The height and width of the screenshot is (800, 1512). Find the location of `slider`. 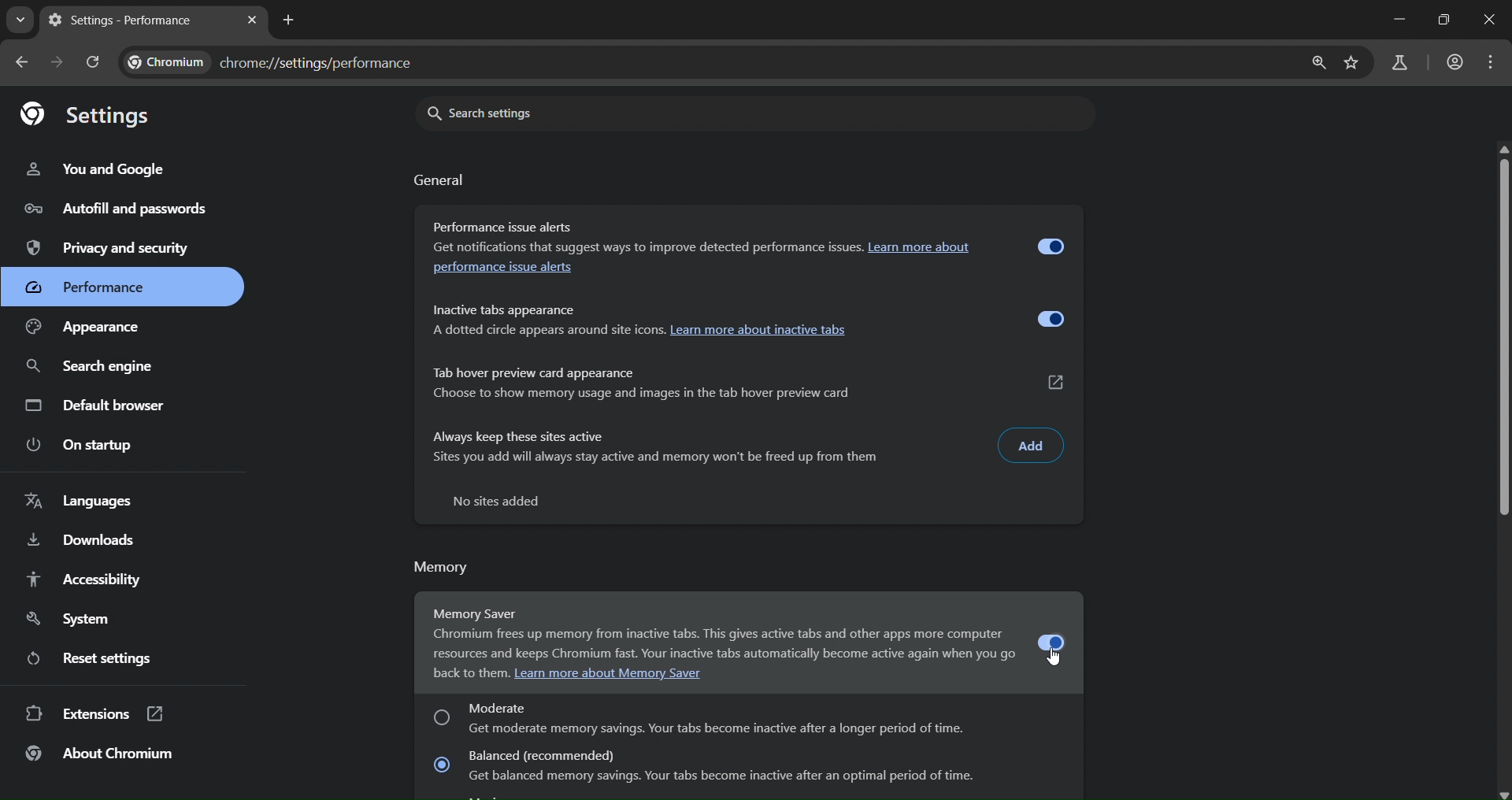

slider is located at coordinates (1501, 328).